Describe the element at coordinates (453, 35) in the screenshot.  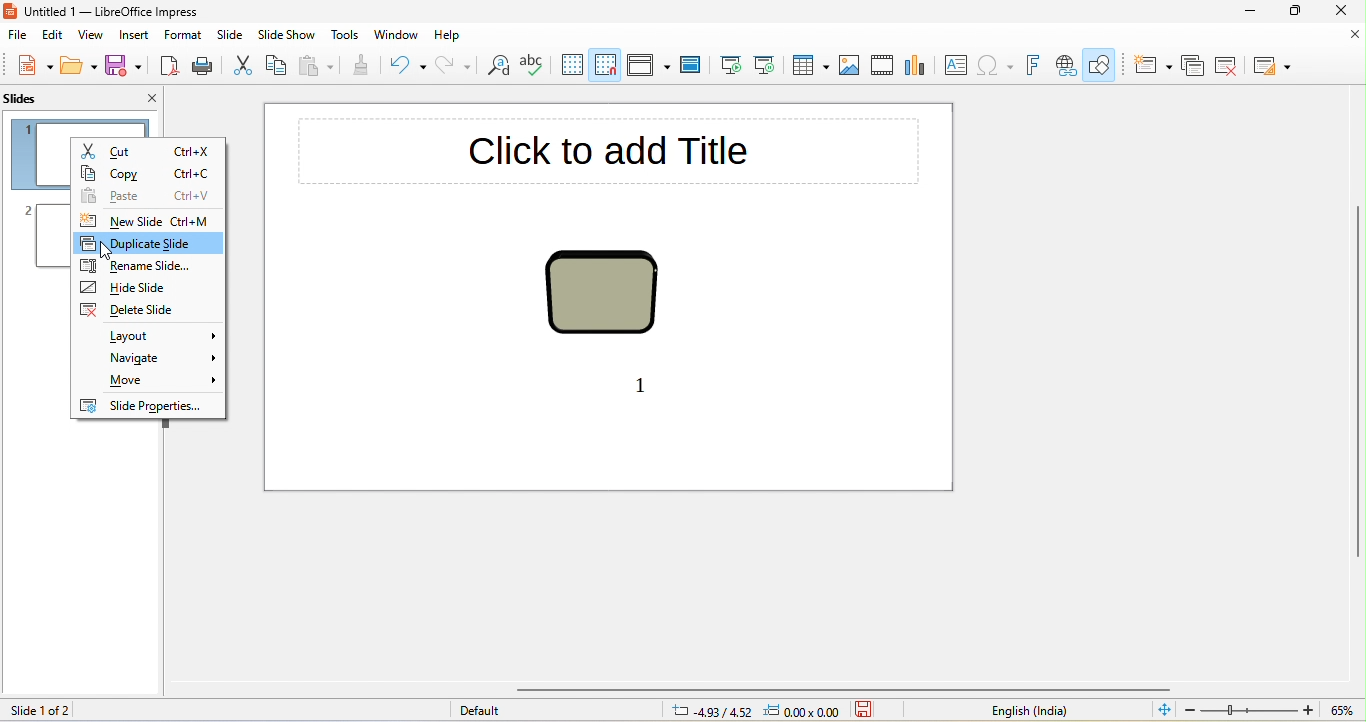
I see `help` at that location.